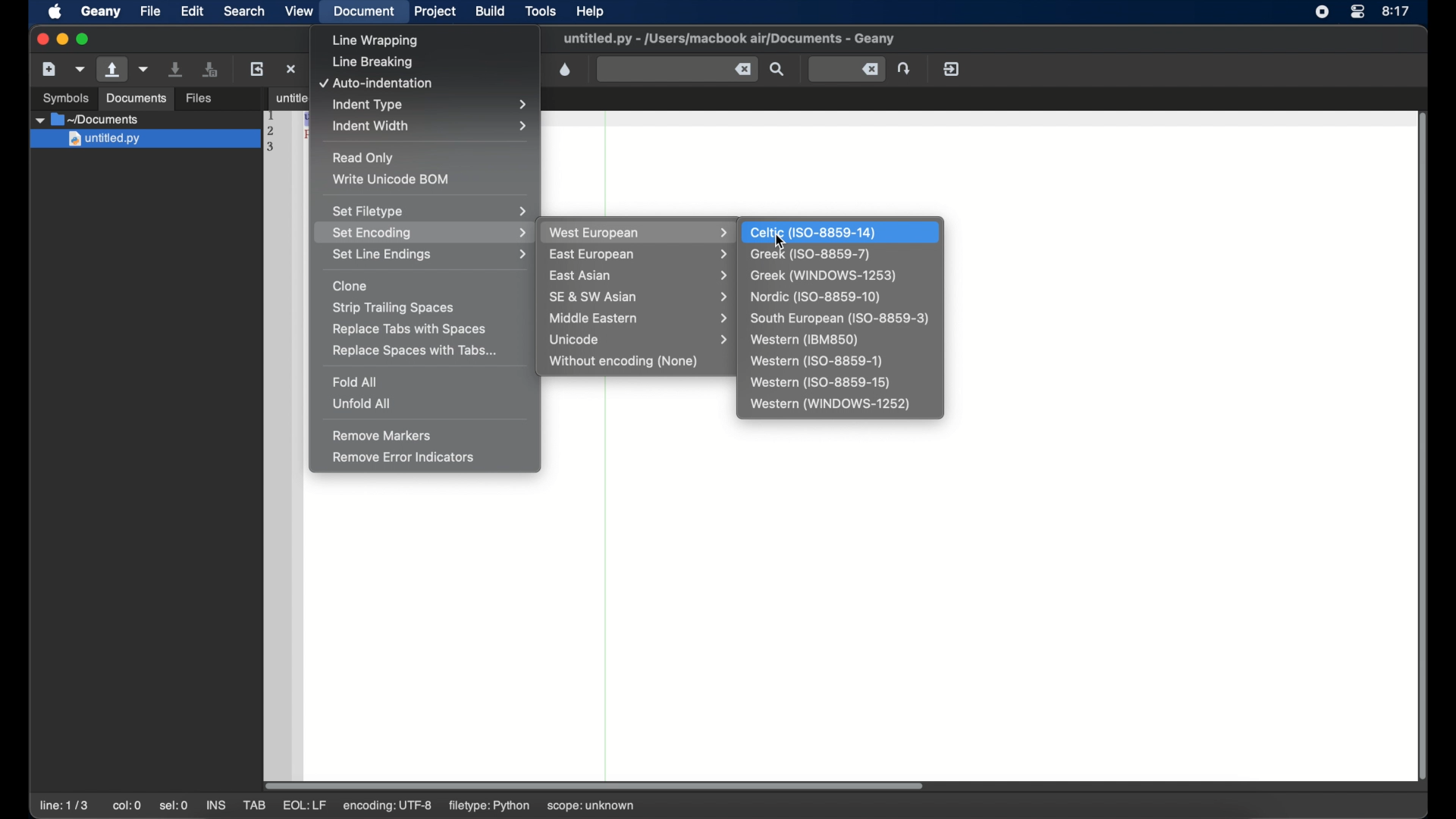 This screenshot has height=819, width=1456. Describe the element at coordinates (811, 255) in the screenshot. I see `greek` at that location.